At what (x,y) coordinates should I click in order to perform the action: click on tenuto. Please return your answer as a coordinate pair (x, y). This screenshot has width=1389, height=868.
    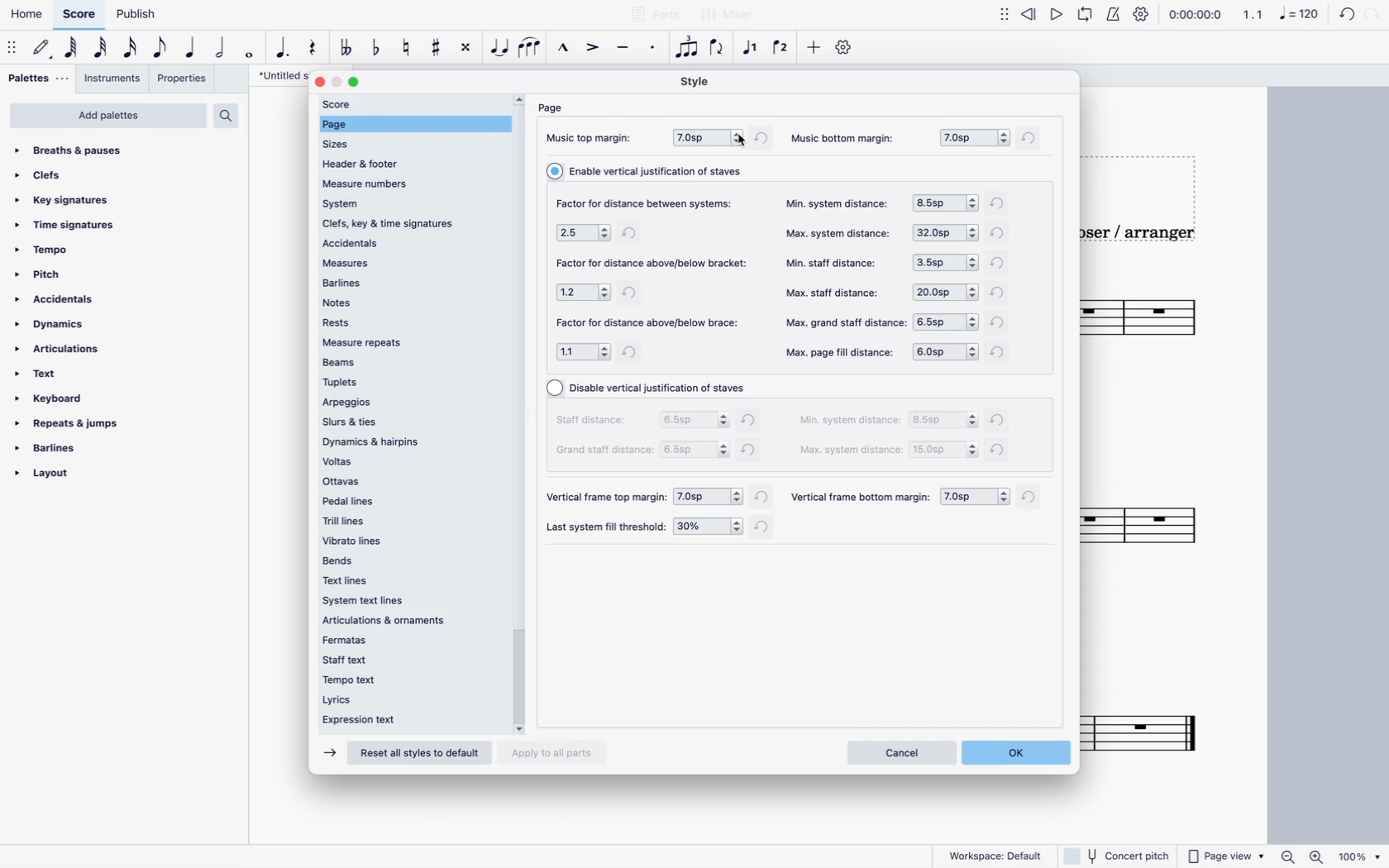
    Looking at the image, I should click on (623, 50).